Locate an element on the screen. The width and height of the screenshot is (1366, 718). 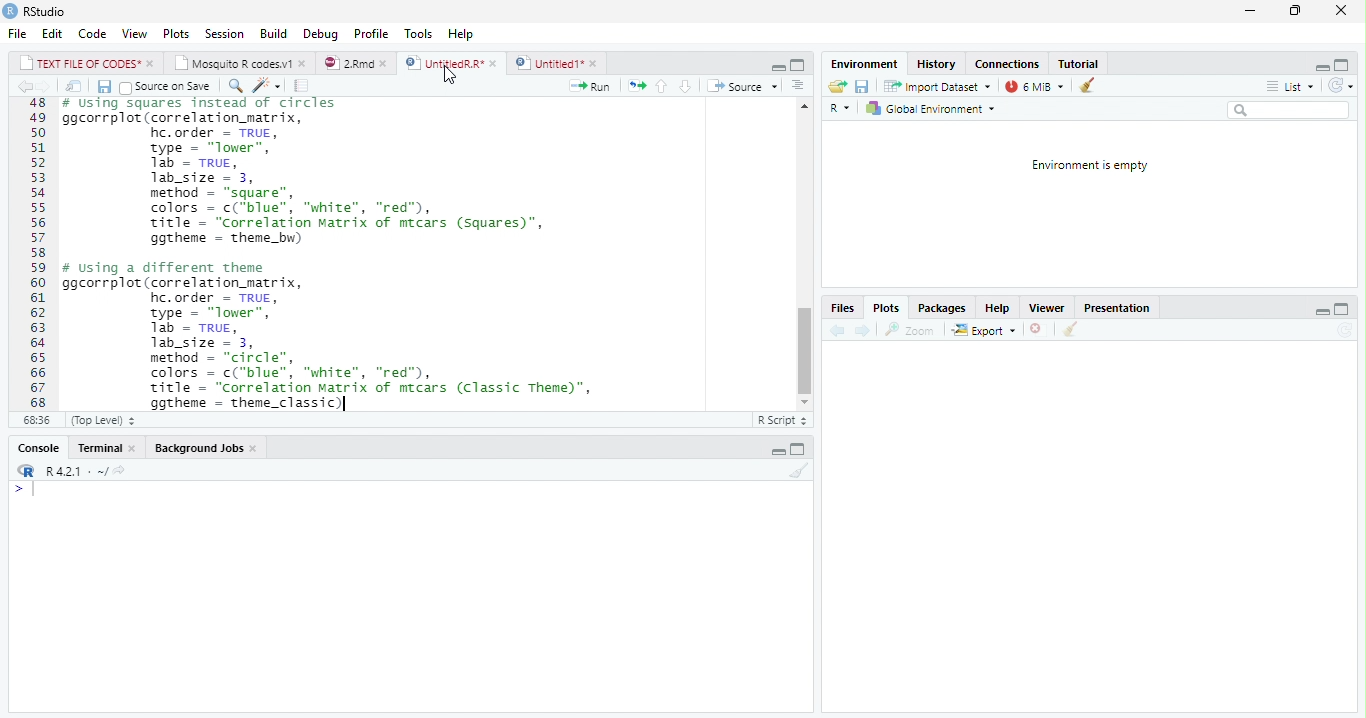
Viewer is located at coordinates (1048, 308).